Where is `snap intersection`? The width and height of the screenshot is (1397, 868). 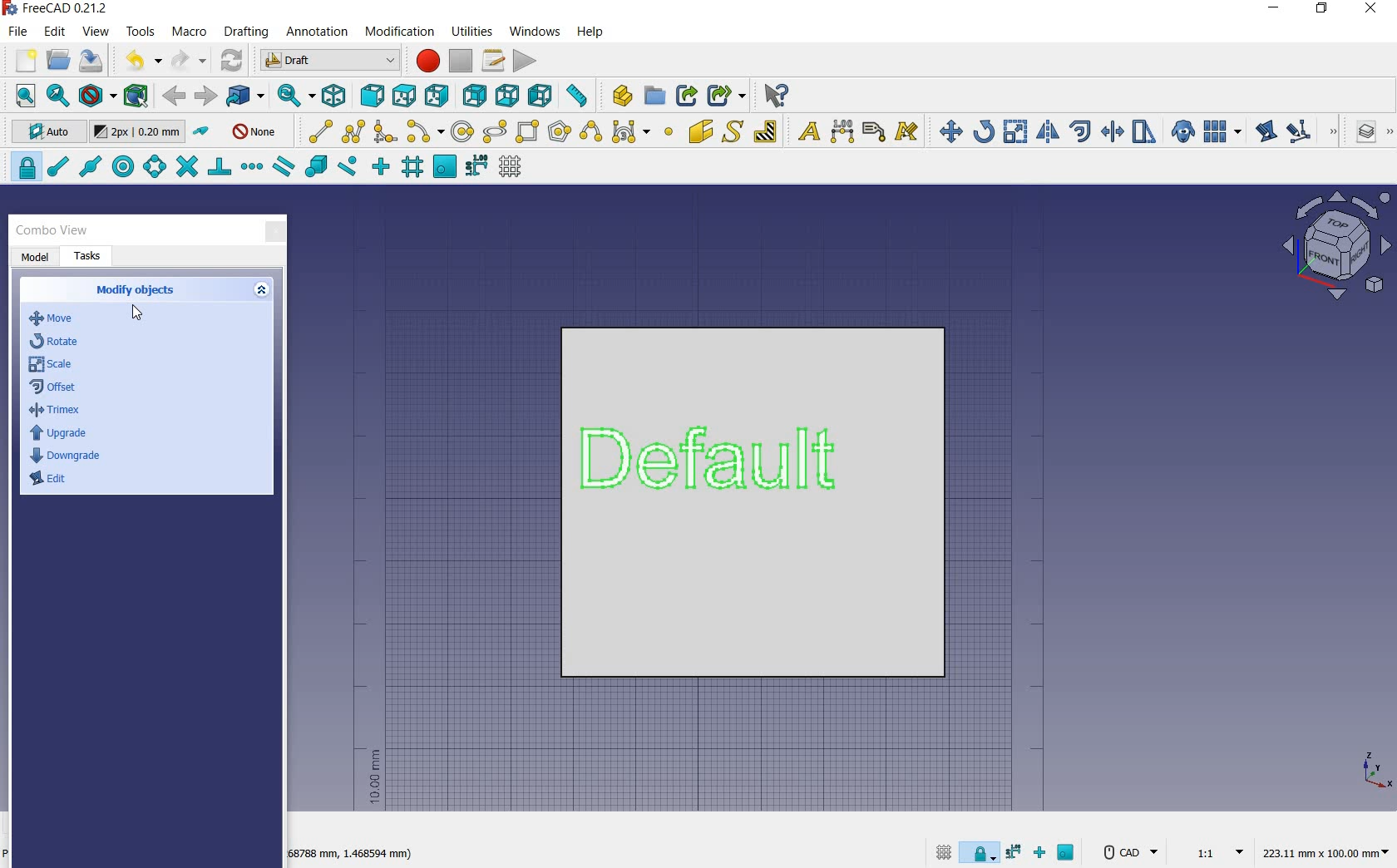
snap intersection is located at coordinates (185, 167).